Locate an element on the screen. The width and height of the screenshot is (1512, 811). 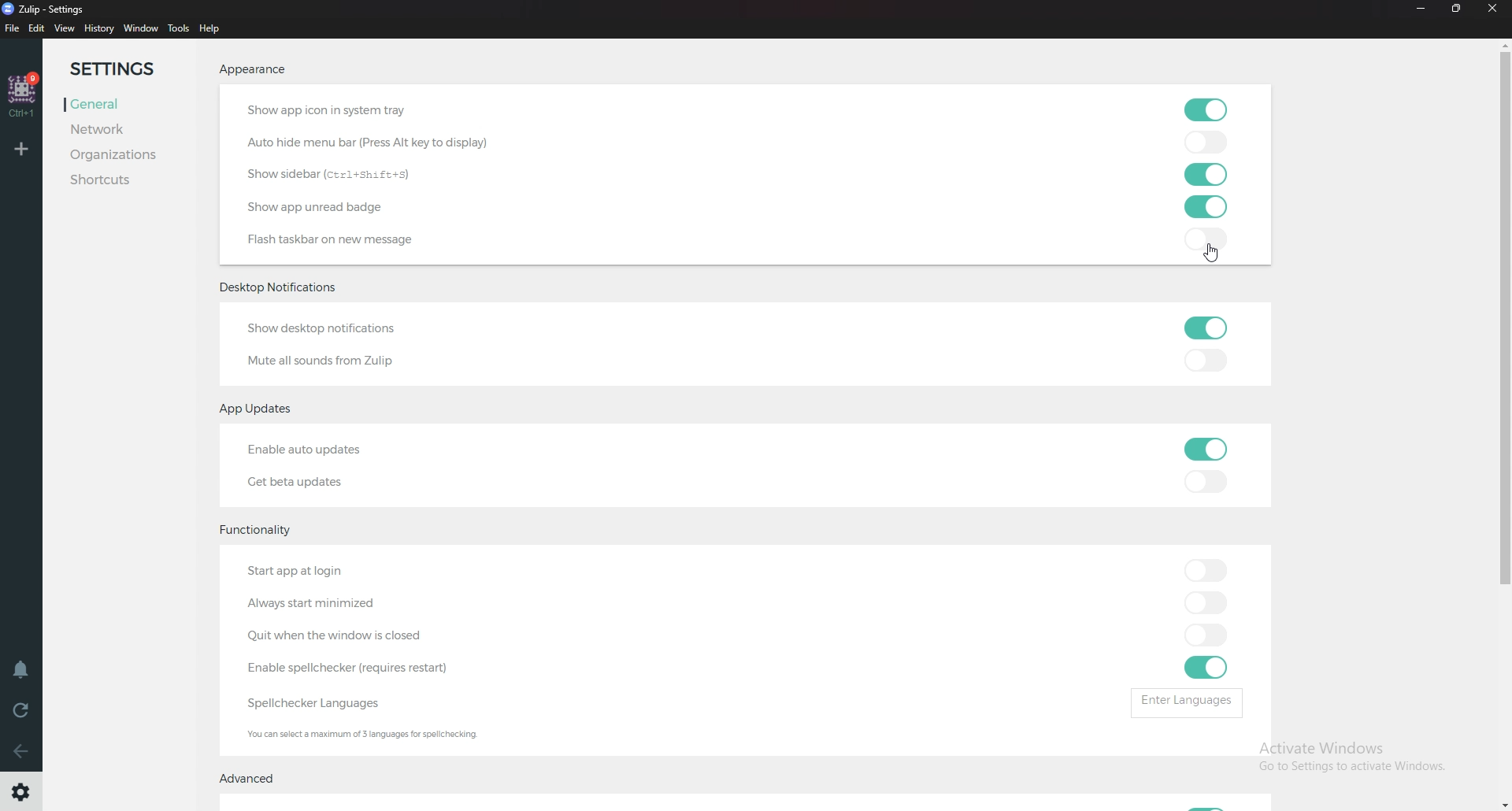
Home is located at coordinates (23, 93).